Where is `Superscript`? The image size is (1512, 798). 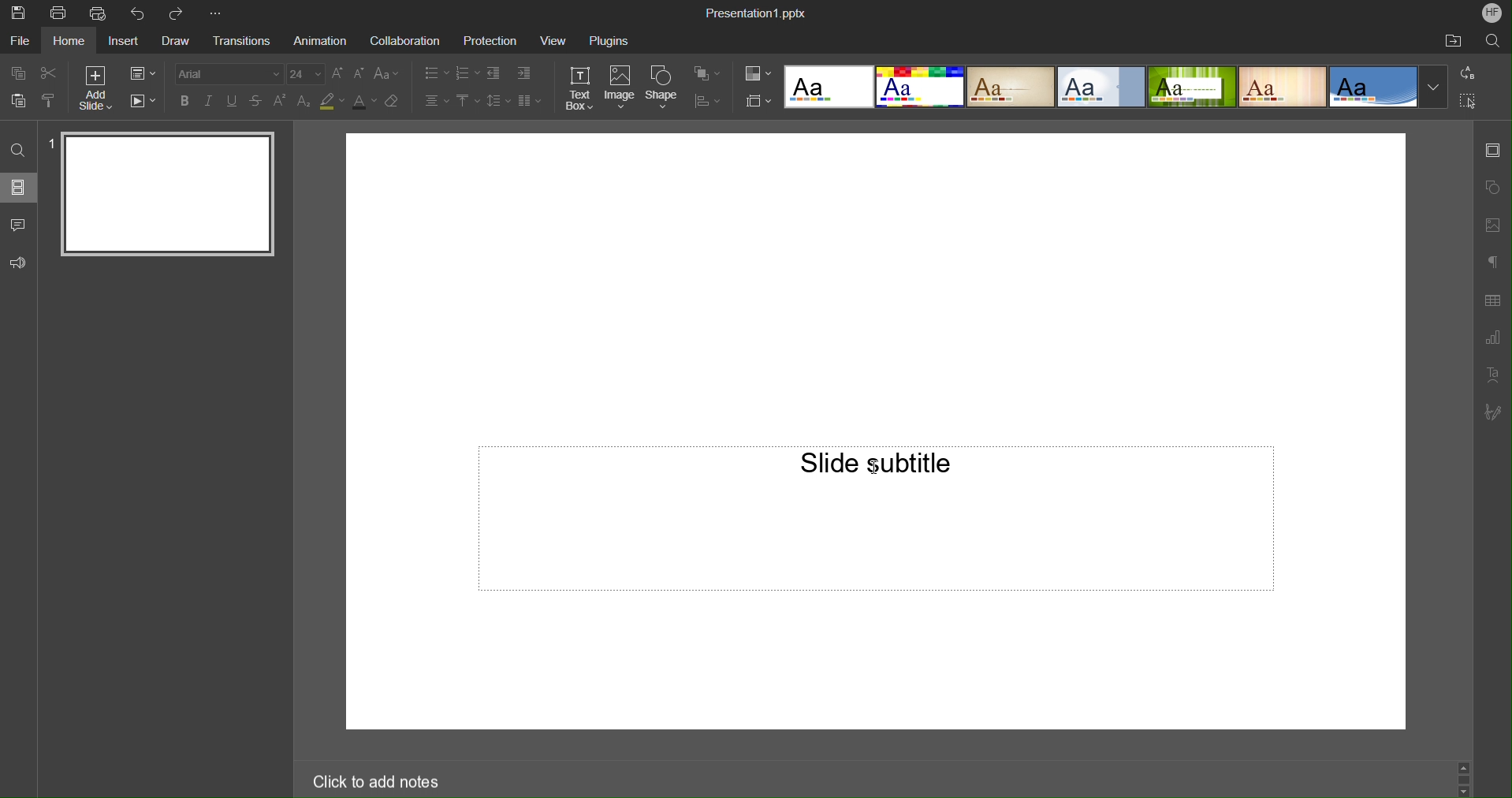 Superscript is located at coordinates (279, 101).